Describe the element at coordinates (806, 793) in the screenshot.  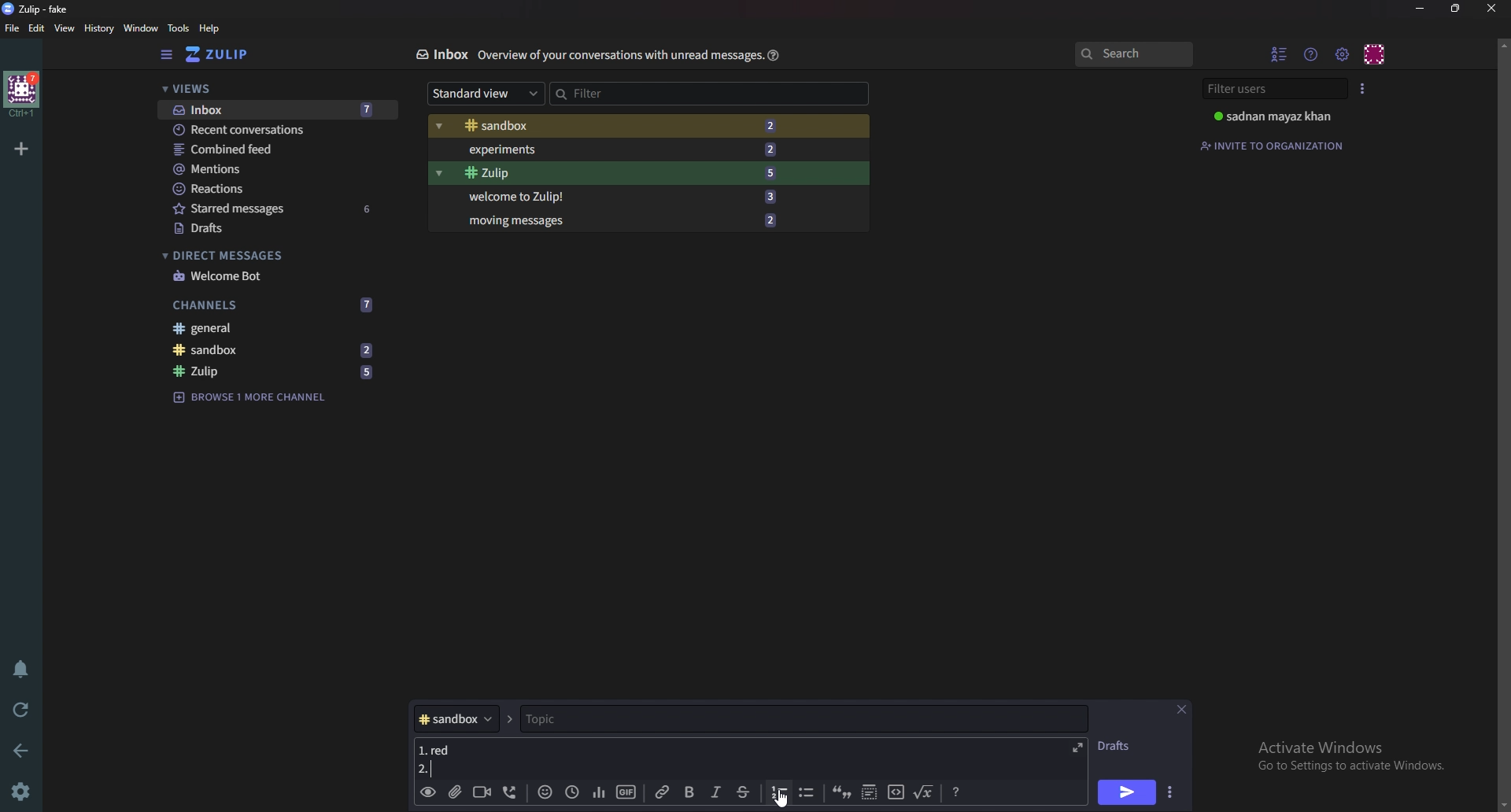
I see `Bullet list` at that location.